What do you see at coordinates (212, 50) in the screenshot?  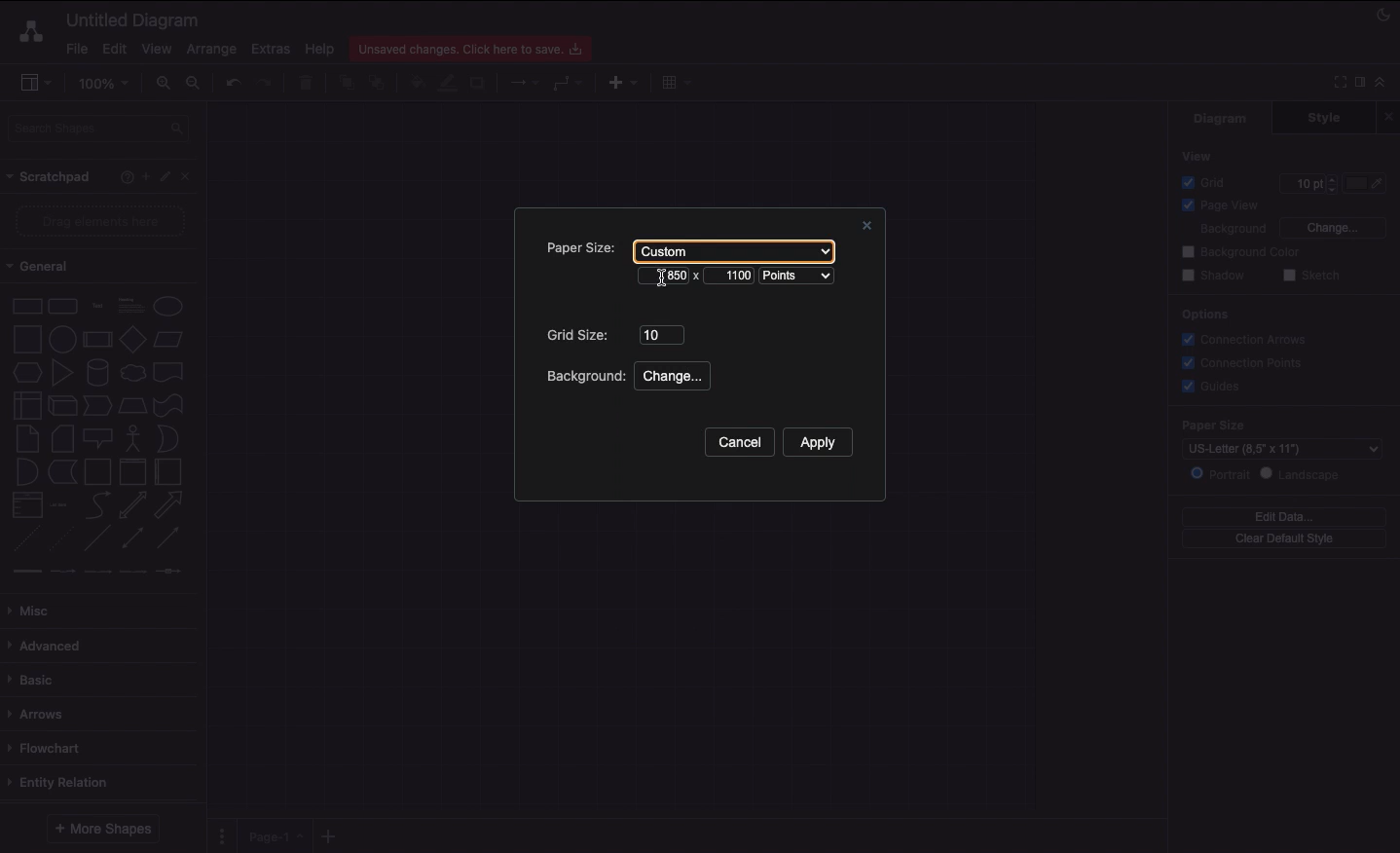 I see `Arrange` at bounding box center [212, 50].